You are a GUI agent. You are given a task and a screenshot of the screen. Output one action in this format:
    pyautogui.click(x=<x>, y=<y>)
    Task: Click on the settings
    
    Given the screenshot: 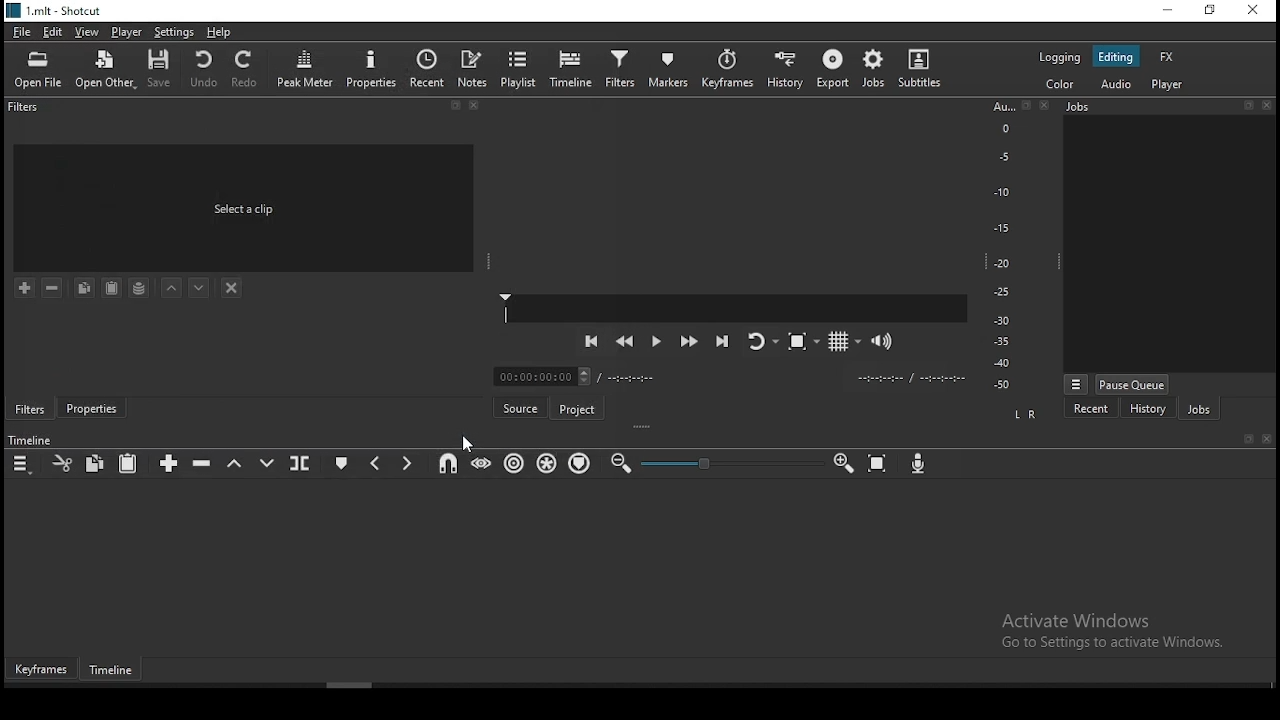 What is the action you would take?
    pyautogui.click(x=172, y=32)
    